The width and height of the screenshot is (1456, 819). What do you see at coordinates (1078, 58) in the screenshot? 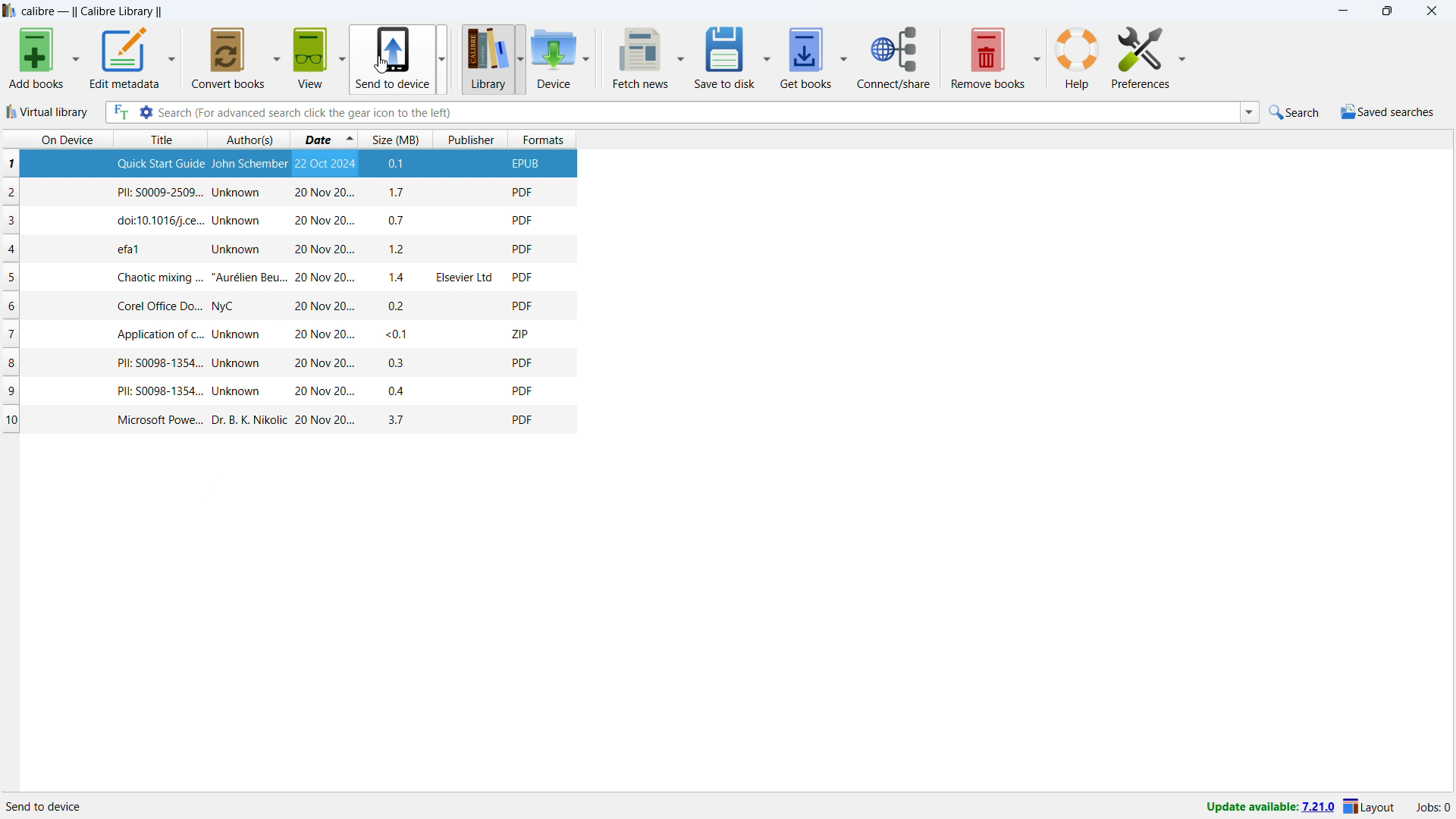
I see `help` at bounding box center [1078, 58].